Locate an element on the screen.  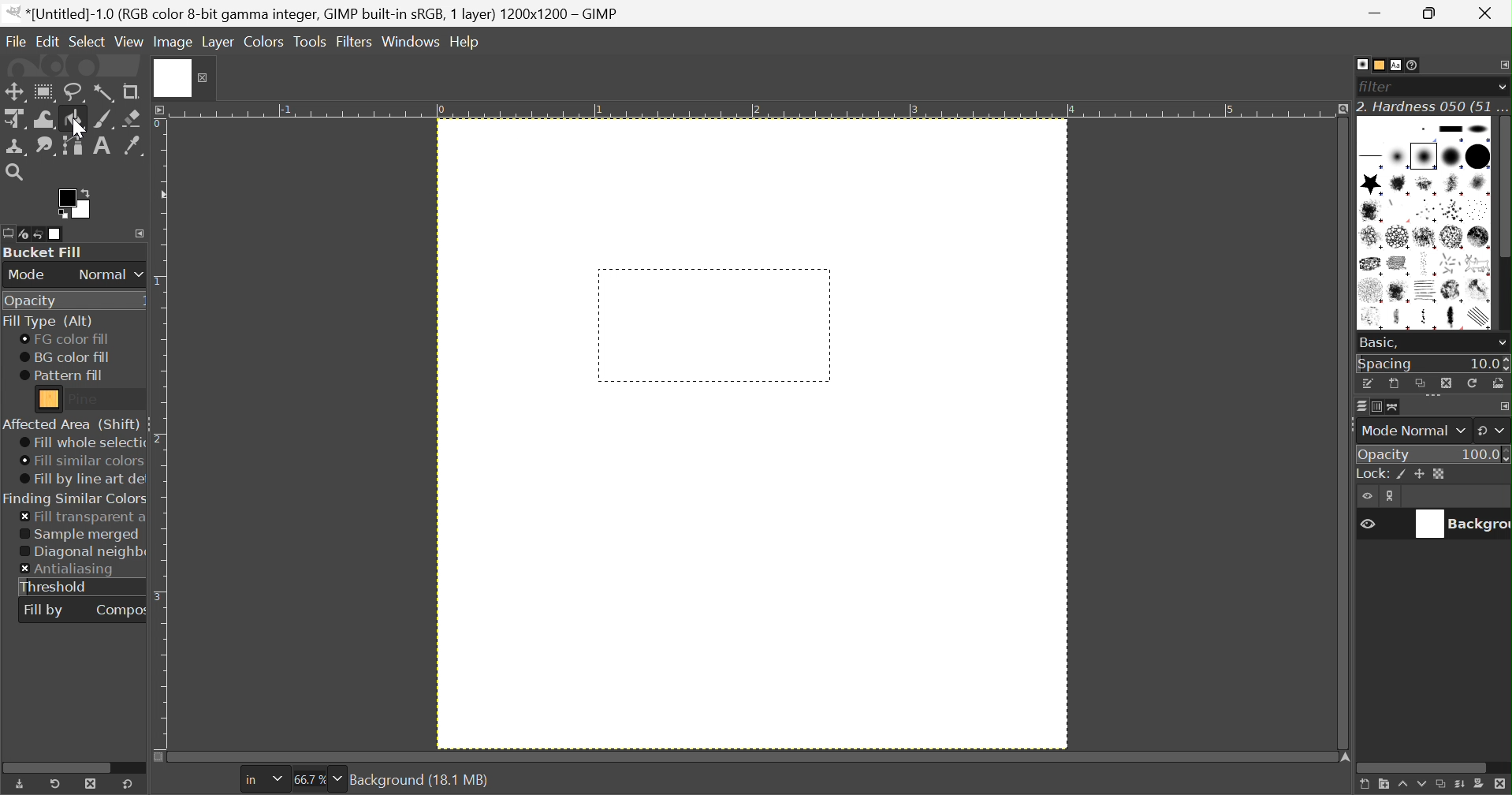
Move Tool is located at coordinates (13, 92).